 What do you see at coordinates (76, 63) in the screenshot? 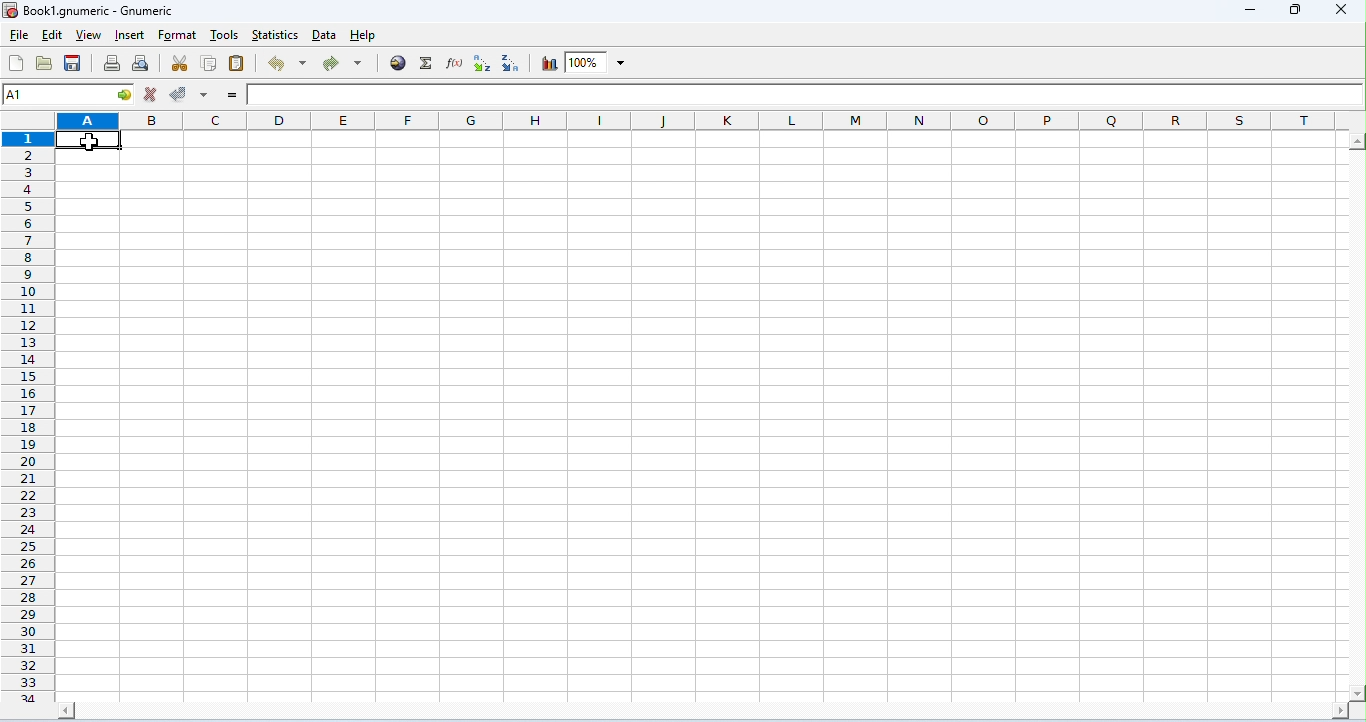
I see `save` at bounding box center [76, 63].